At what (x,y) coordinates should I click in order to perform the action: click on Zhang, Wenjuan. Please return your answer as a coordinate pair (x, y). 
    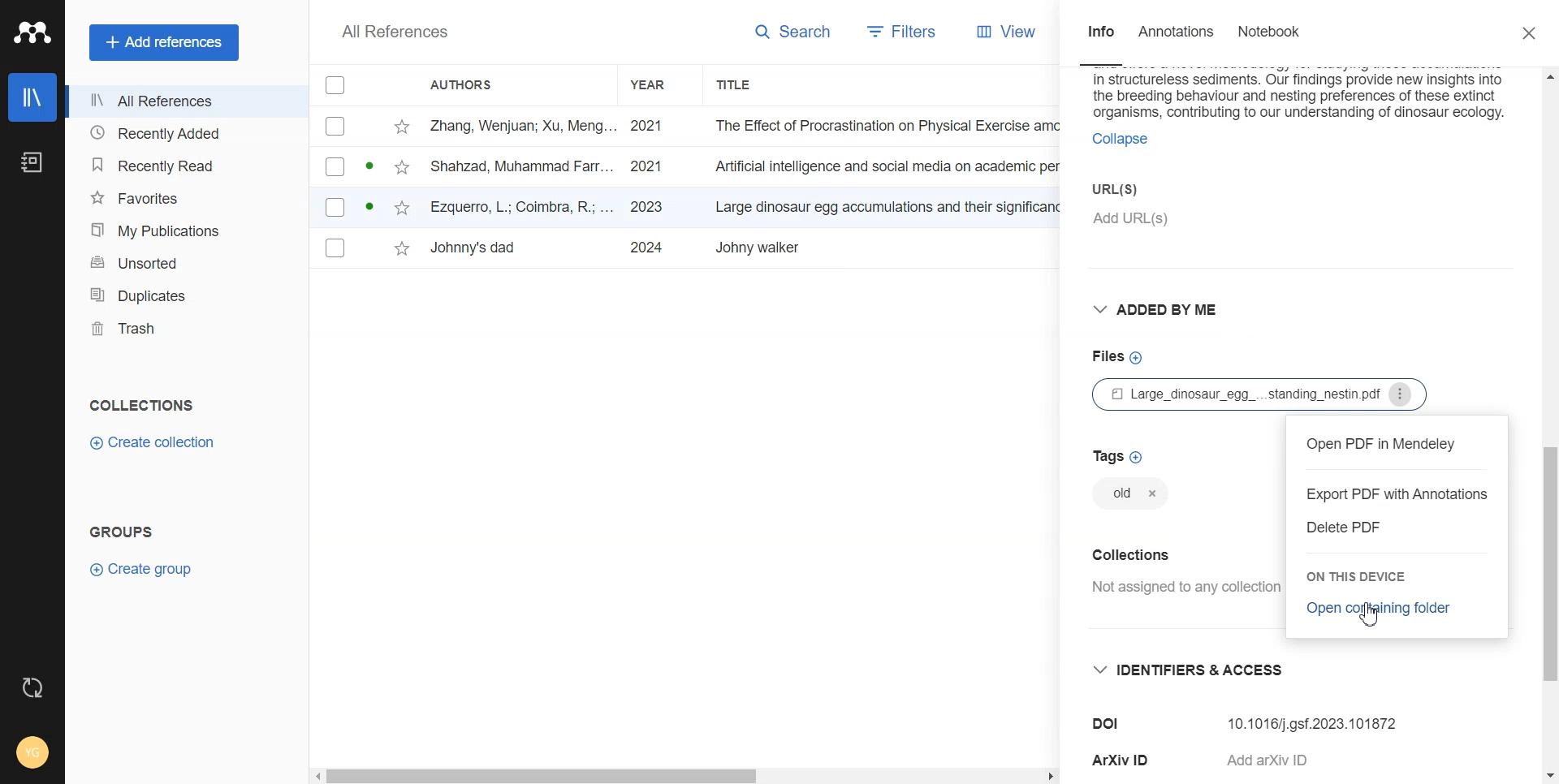
    Looking at the image, I should click on (523, 126).